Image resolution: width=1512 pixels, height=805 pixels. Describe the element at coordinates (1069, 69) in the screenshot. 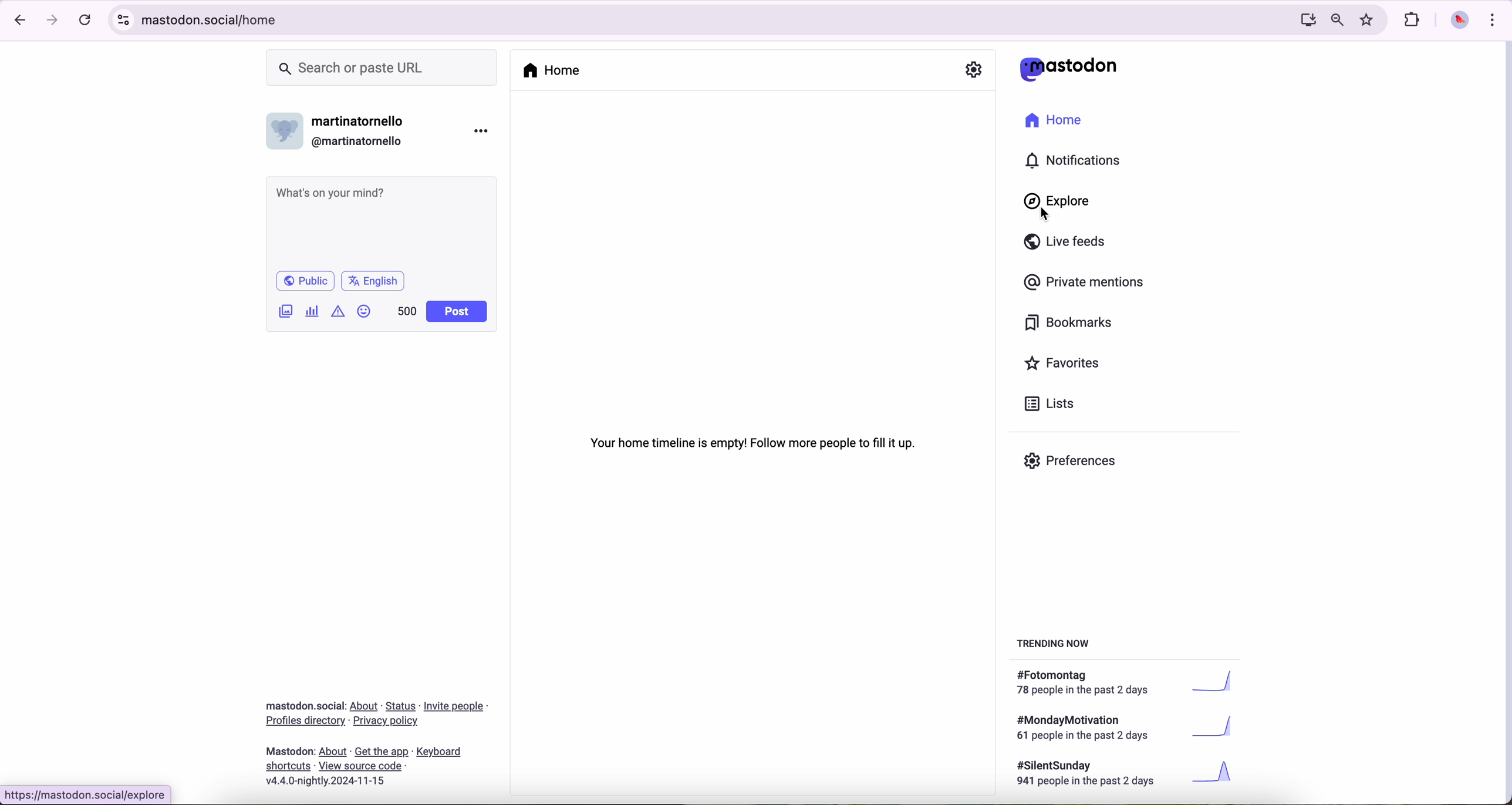

I see `matodon logo` at that location.